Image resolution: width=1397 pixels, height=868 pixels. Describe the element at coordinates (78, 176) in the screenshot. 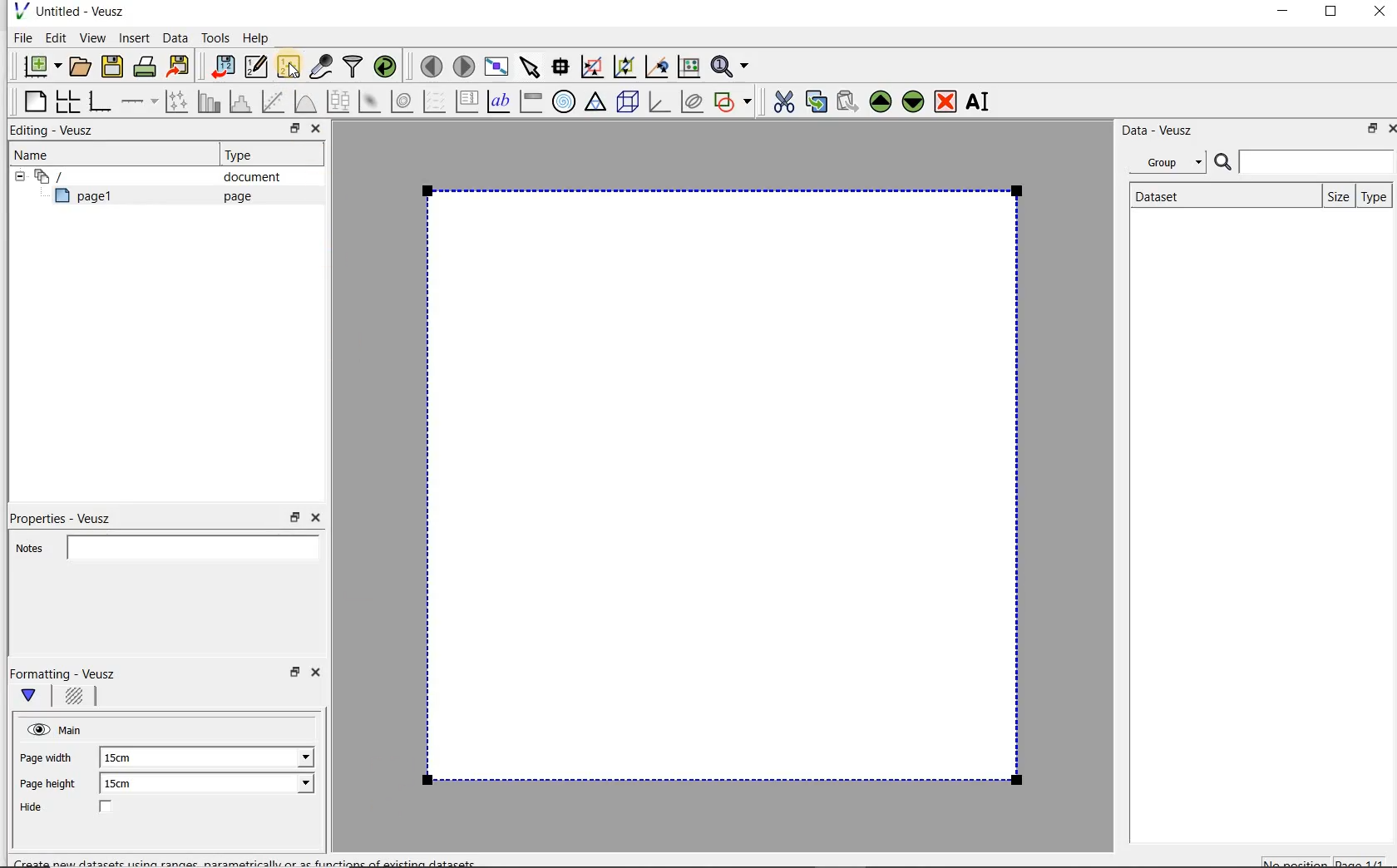

I see `Document widget` at that location.